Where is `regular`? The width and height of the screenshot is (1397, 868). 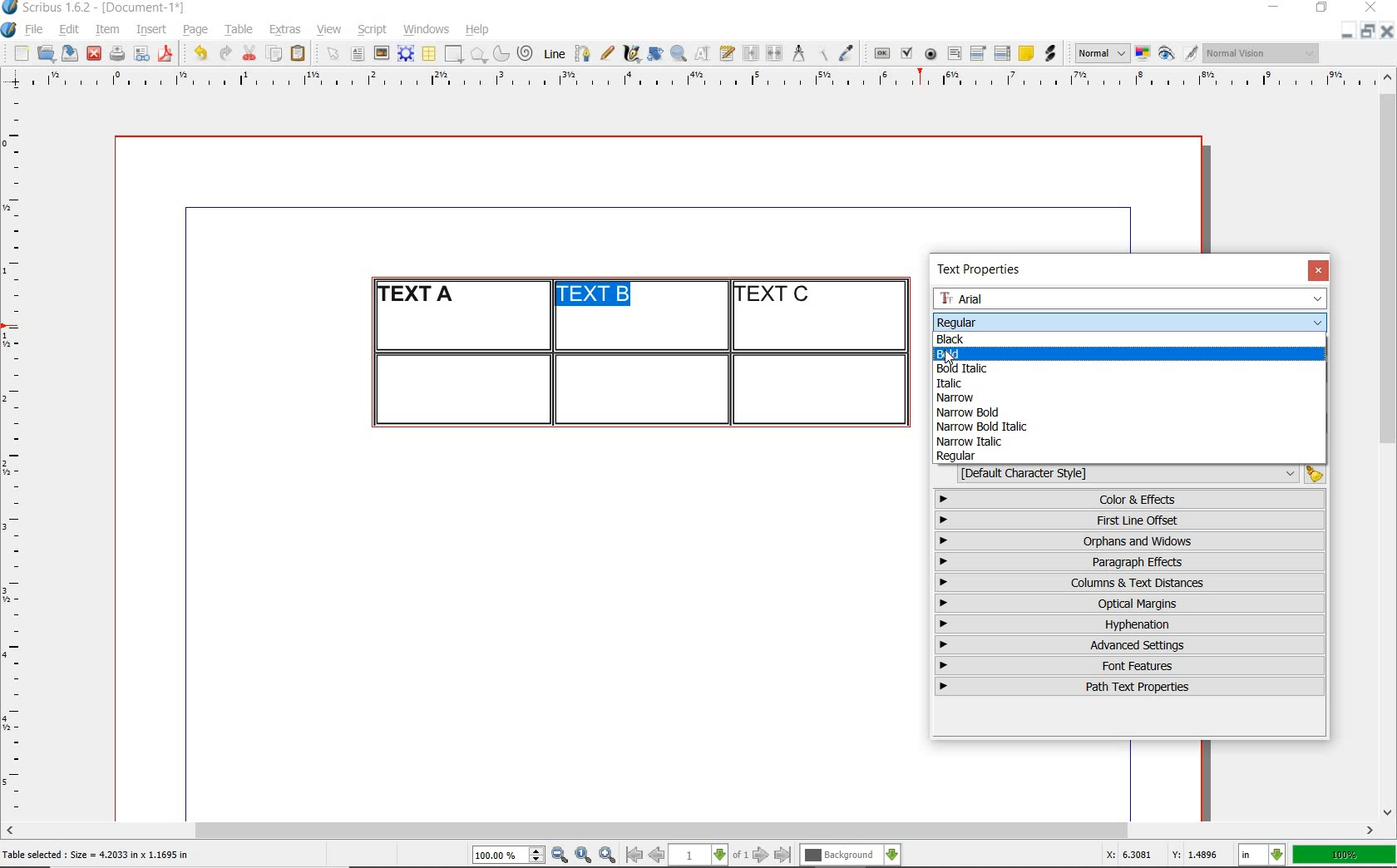 regular is located at coordinates (955, 321).